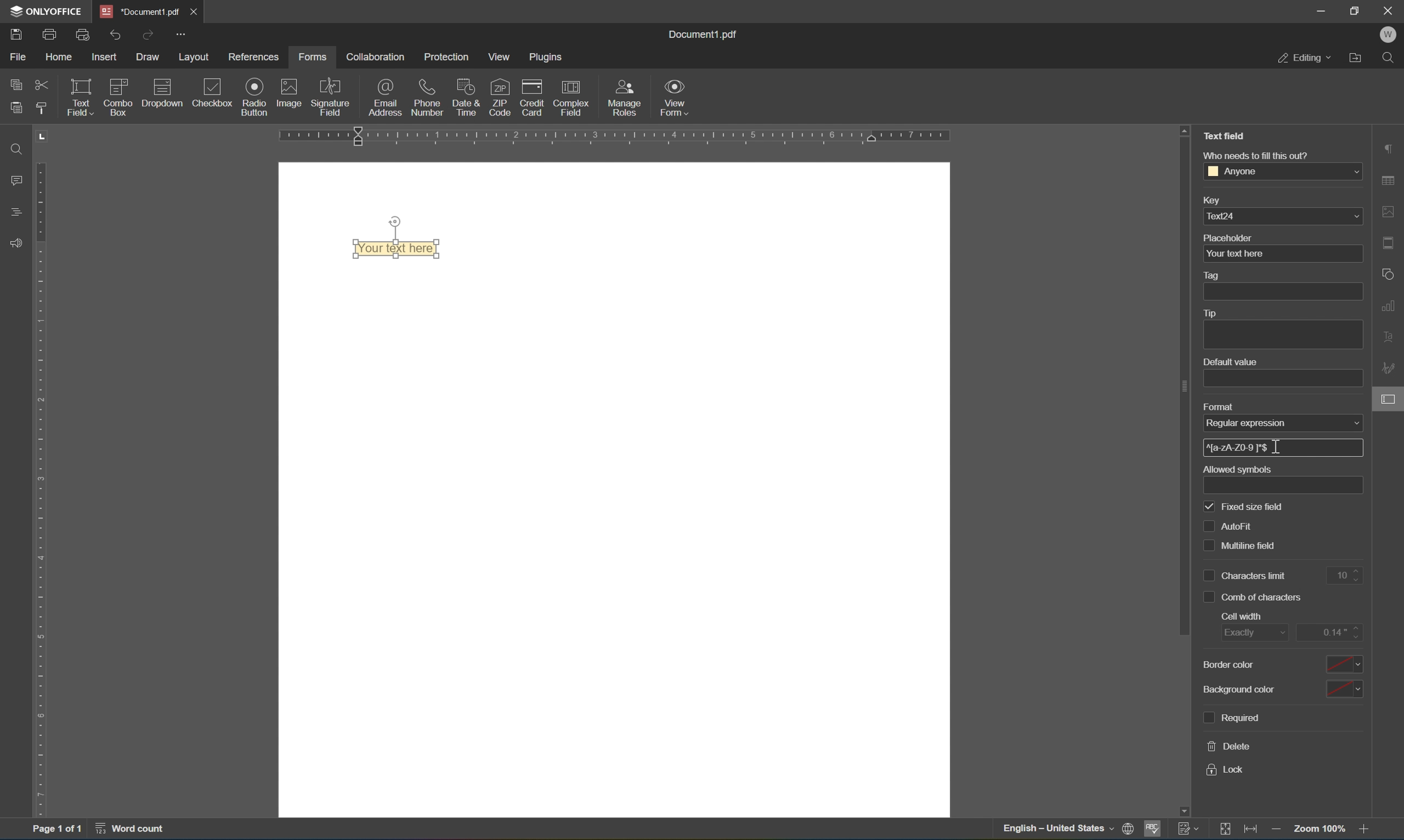 Image resolution: width=1404 pixels, height=840 pixels. I want to click on cursor, so click(1277, 447).